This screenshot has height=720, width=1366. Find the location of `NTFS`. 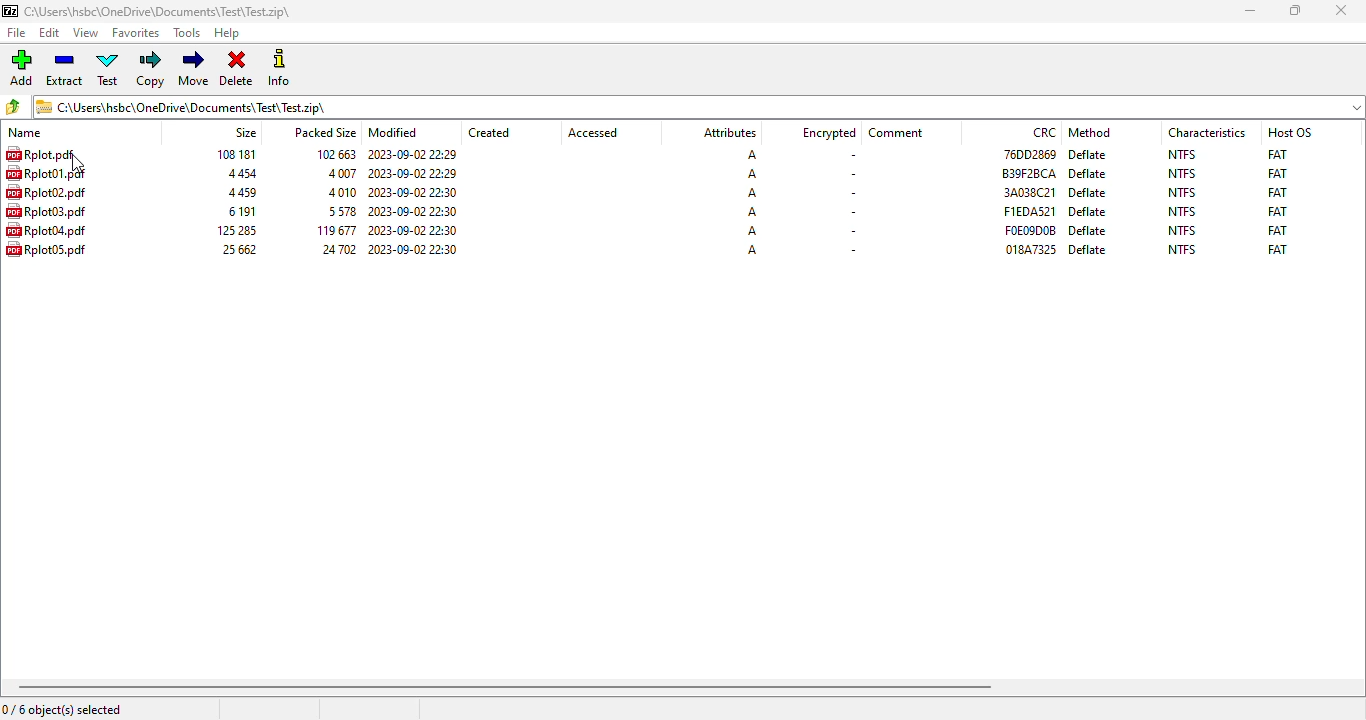

NTFS is located at coordinates (1182, 174).